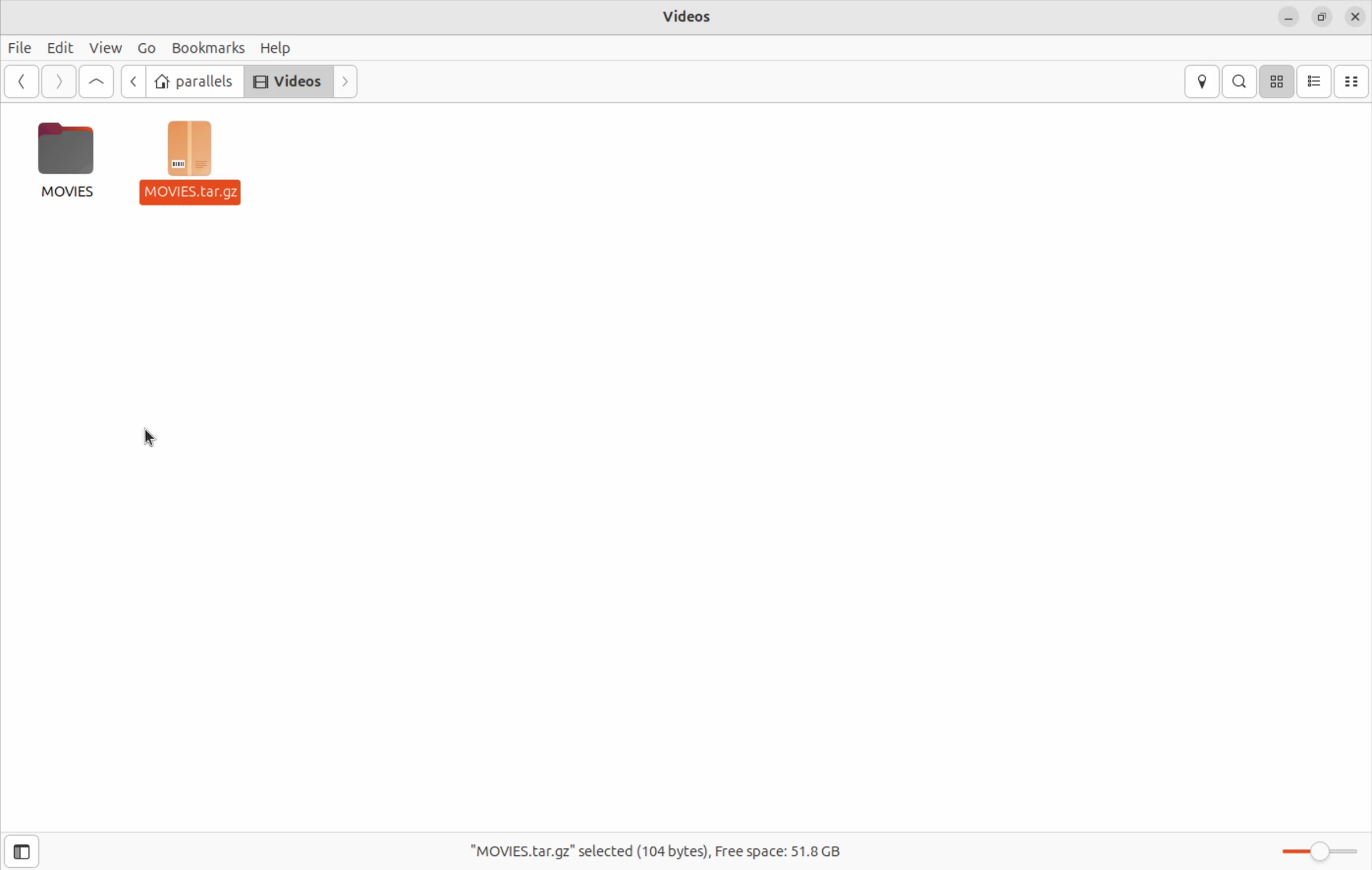 Image resolution: width=1372 pixels, height=870 pixels. I want to click on search, so click(1239, 81).